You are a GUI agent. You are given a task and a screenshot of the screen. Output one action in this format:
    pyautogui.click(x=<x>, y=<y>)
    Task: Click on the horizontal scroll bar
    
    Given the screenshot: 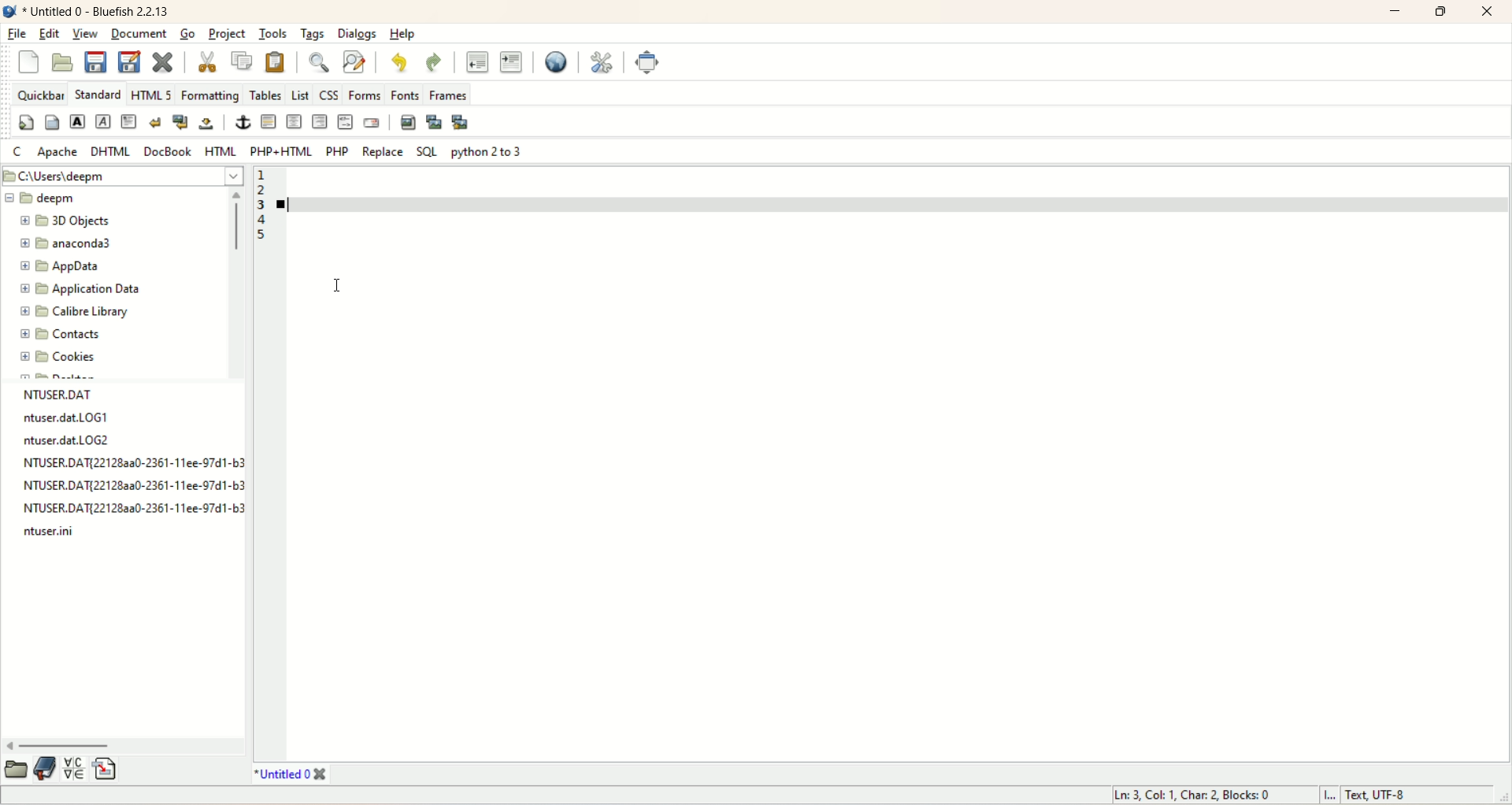 What is the action you would take?
    pyautogui.click(x=126, y=745)
    